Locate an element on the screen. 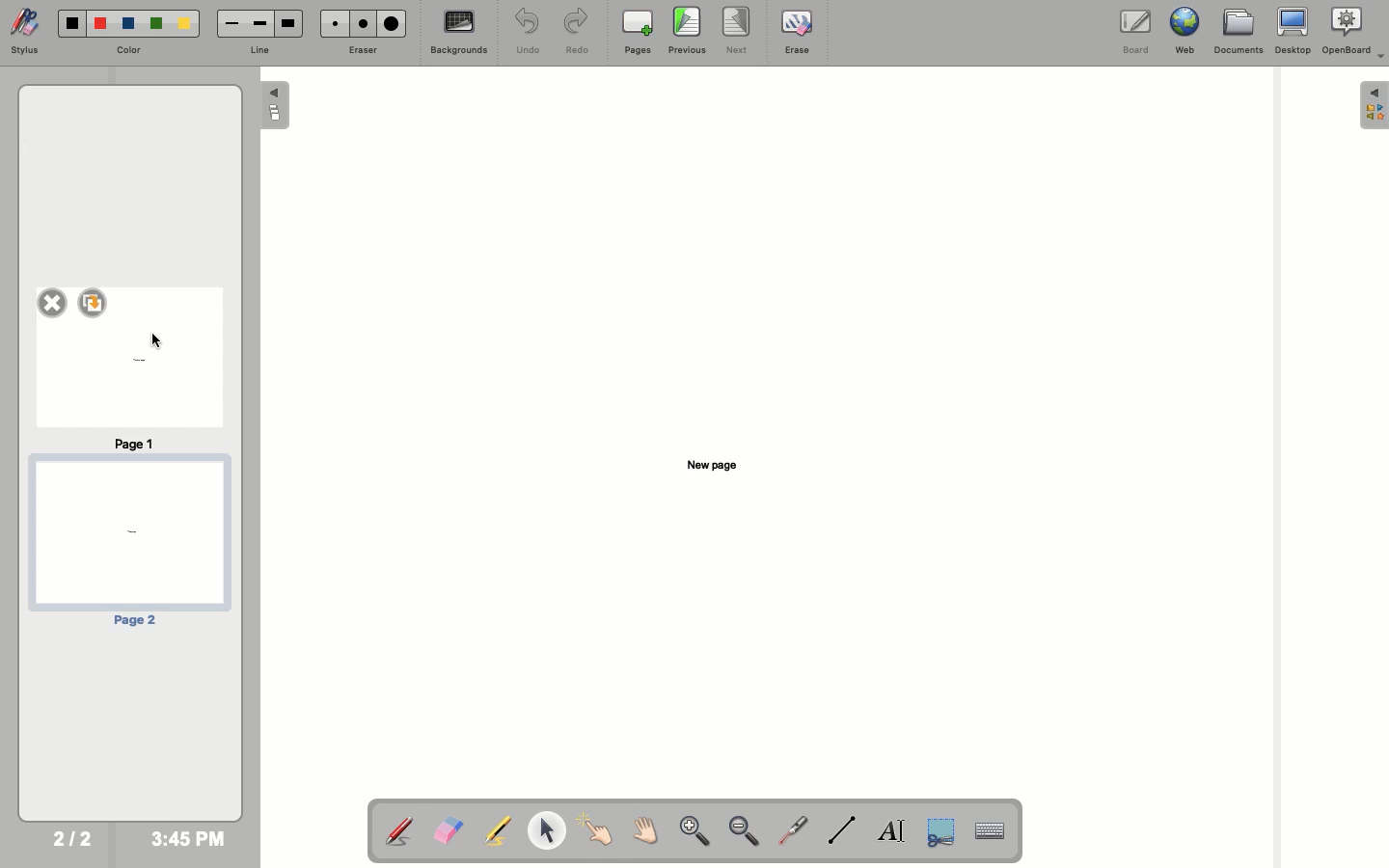  Zoom in is located at coordinates (694, 832).